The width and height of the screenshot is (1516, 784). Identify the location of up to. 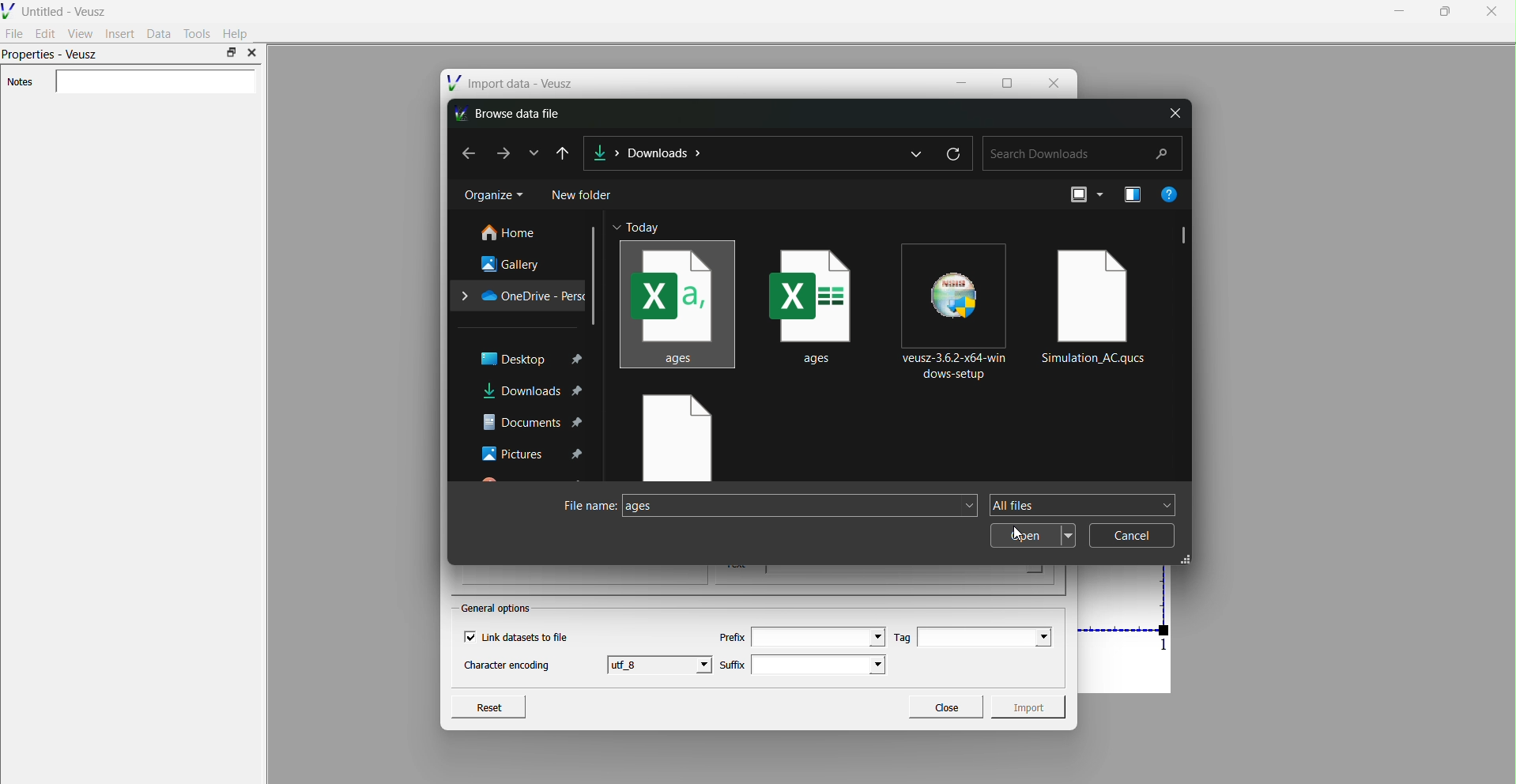
(564, 153).